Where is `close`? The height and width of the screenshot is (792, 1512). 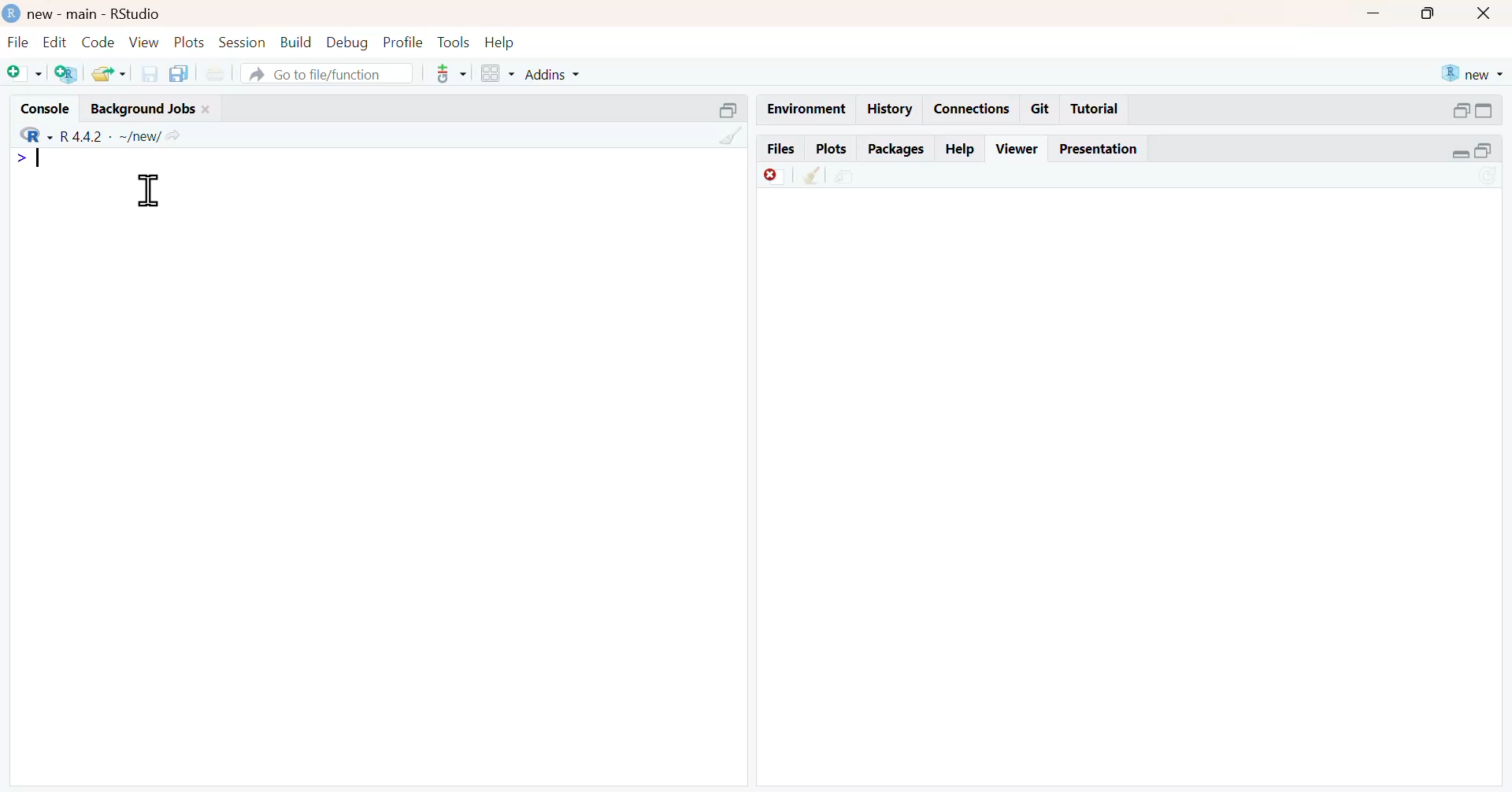 close is located at coordinates (1488, 13).